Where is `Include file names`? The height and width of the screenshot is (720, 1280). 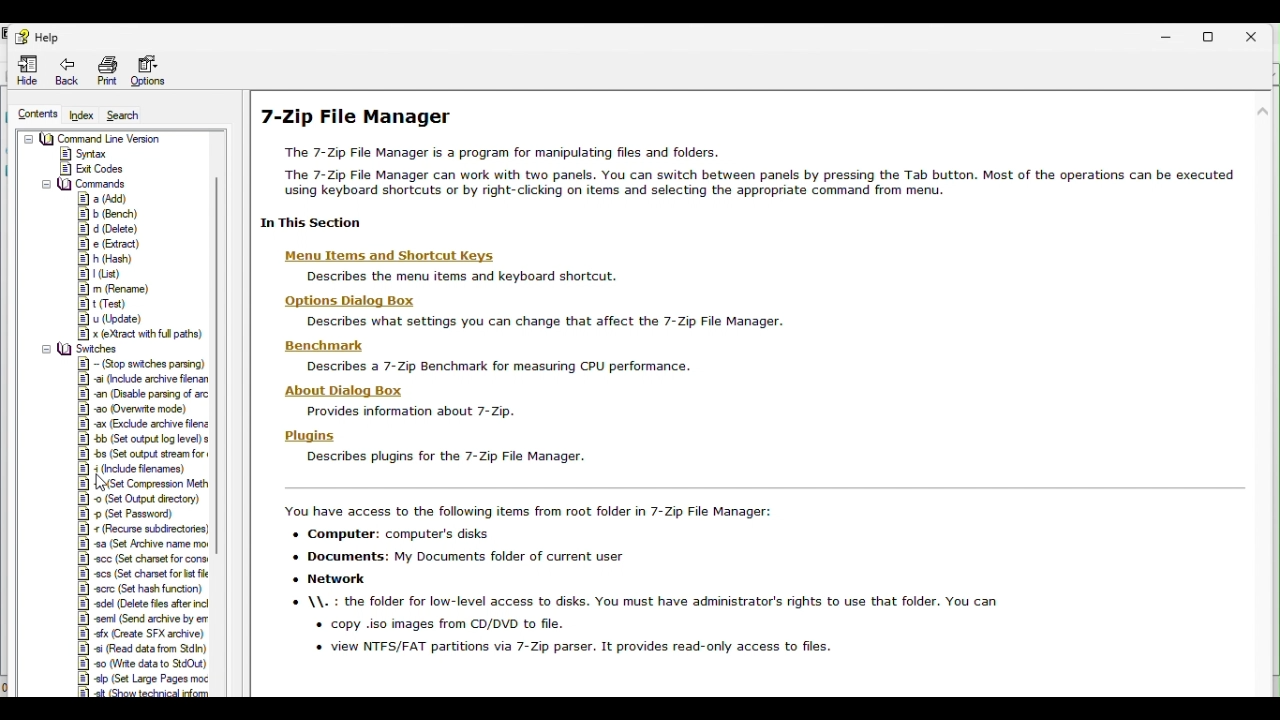
Include file names is located at coordinates (140, 470).